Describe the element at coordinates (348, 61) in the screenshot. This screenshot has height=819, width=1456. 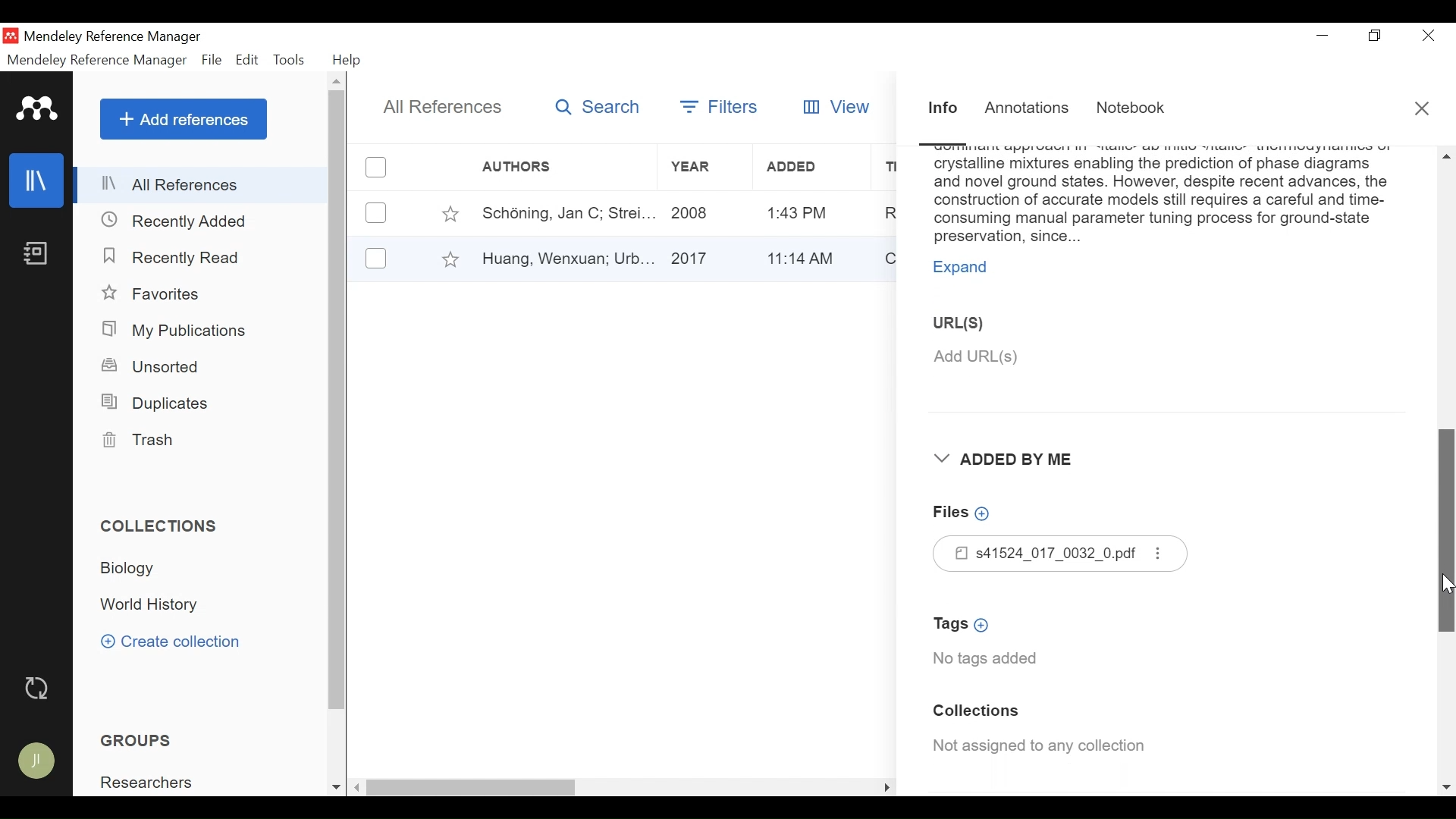
I see `Help` at that location.